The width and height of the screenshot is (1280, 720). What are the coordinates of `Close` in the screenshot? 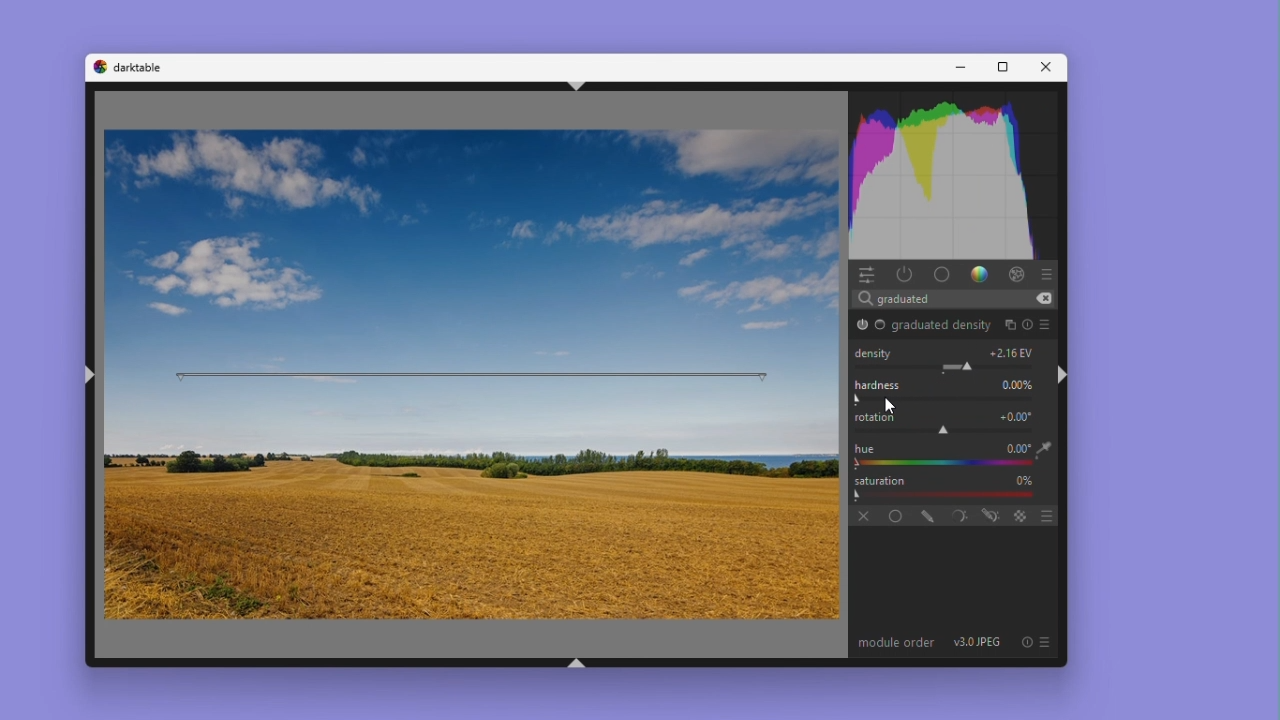 It's located at (1043, 67).